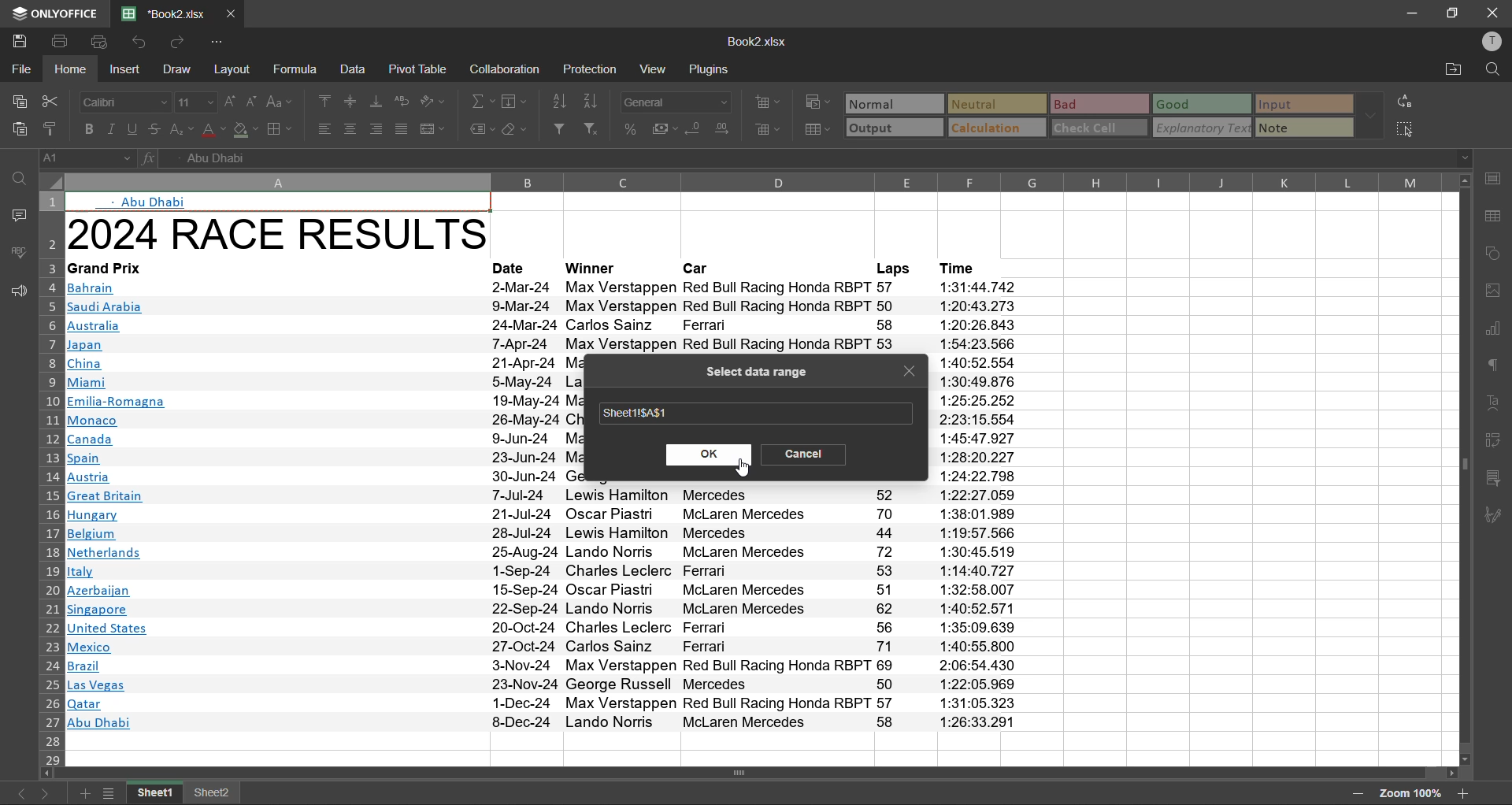 This screenshot has height=805, width=1512. What do you see at coordinates (1087, 127) in the screenshot?
I see `check cell` at bounding box center [1087, 127].